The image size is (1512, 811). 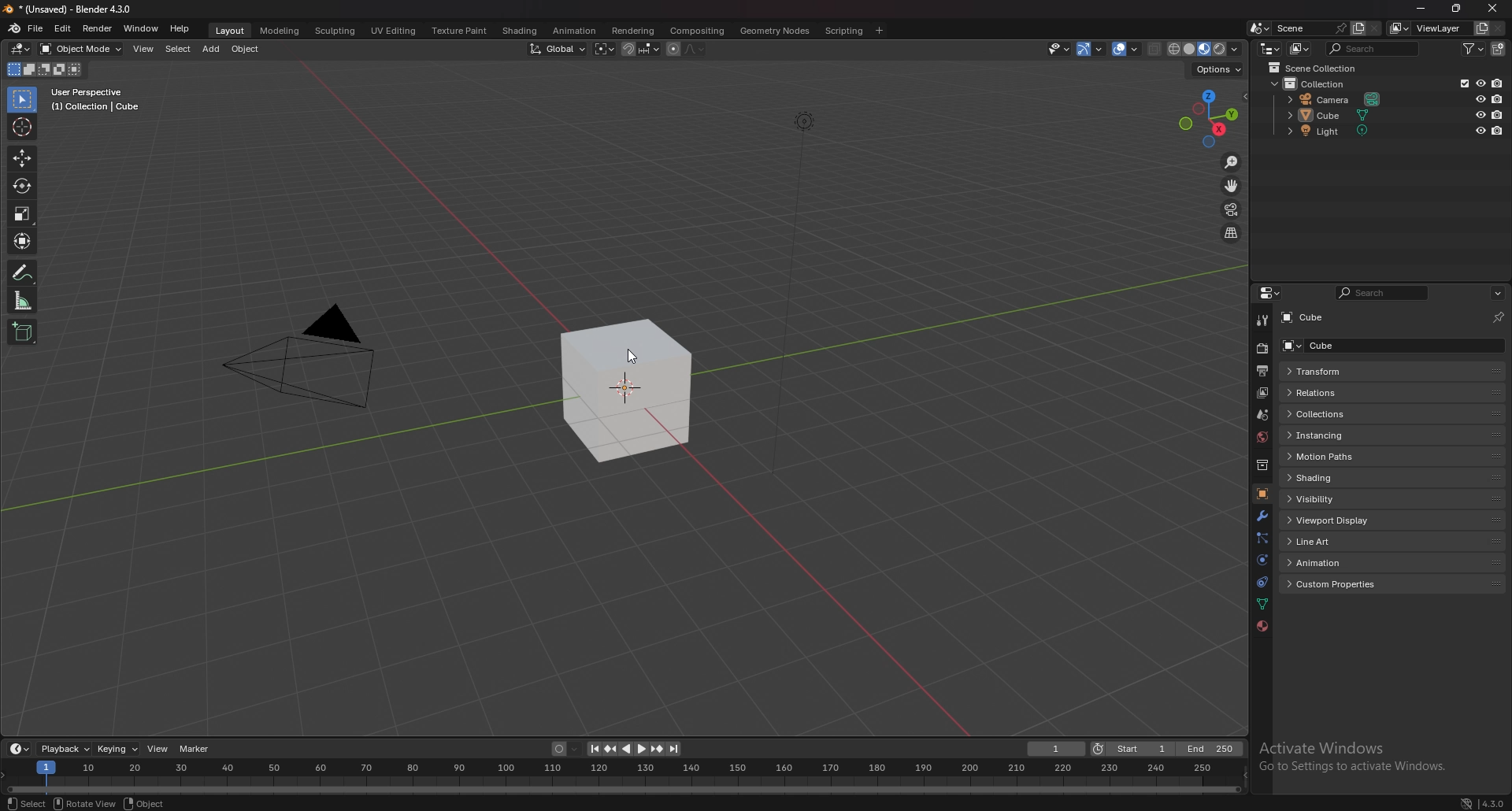 What do you see at coordinates (622, 776) in the screenshot?
I see `seek` at bounding box center [622, 776].